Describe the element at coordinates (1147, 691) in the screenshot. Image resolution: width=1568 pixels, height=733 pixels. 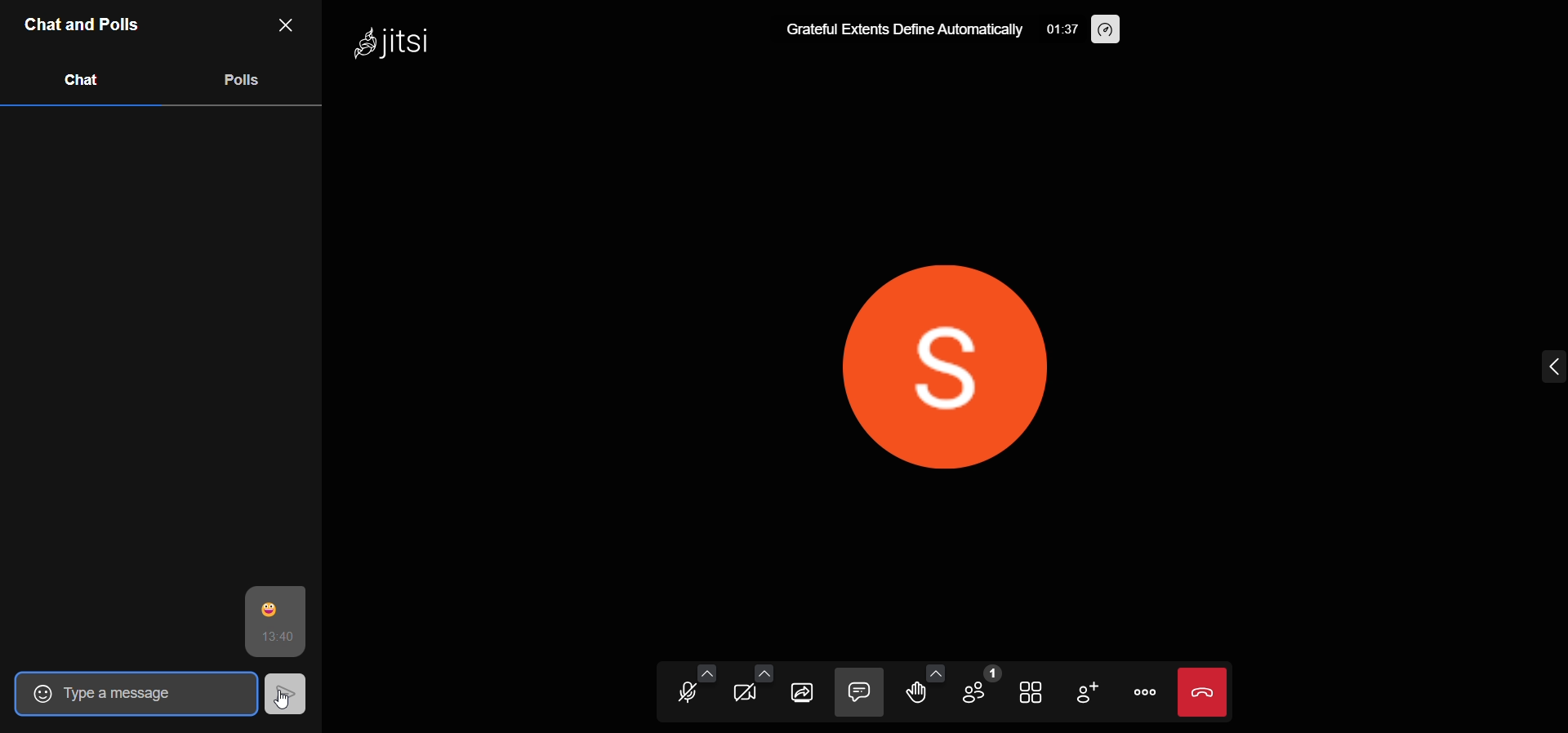
I see `more` at that location.